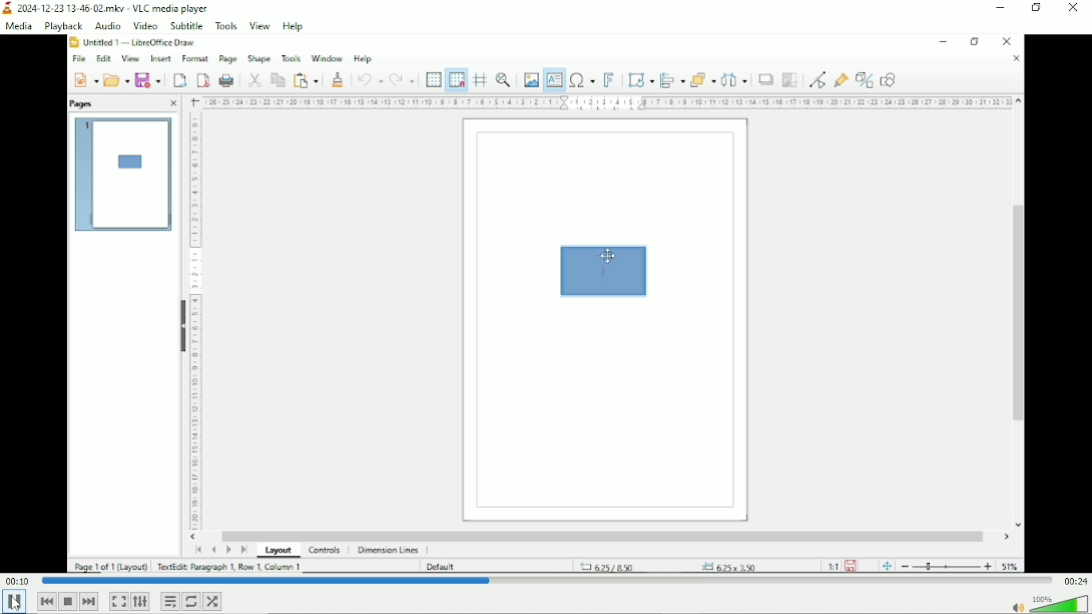 Image resolution: width=1092 pixels, height=614 pixels. What do you see at coordinates (1076, 581) in the screenshot?
I see `Total duration` at bounding box center [1076, 581].